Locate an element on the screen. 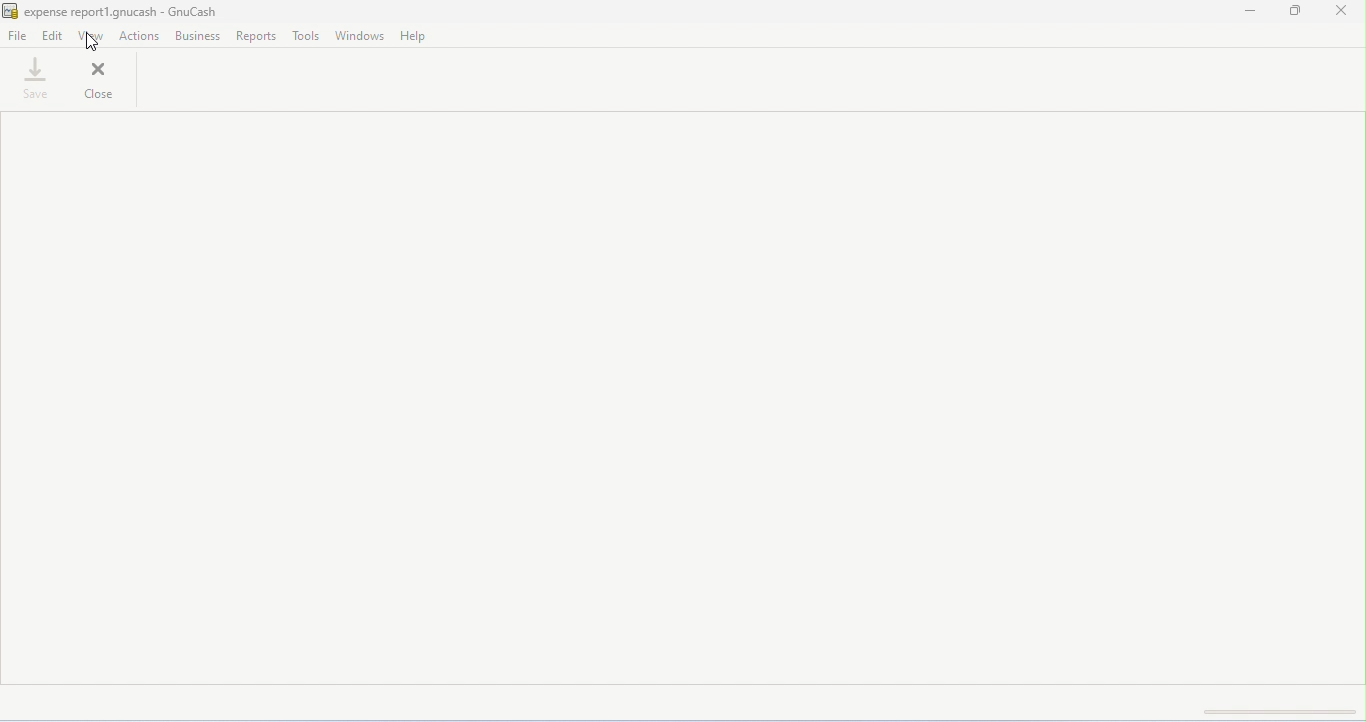 The width and height of the screenshot is (1366, 722). reports is located at coordinates (257, 36).